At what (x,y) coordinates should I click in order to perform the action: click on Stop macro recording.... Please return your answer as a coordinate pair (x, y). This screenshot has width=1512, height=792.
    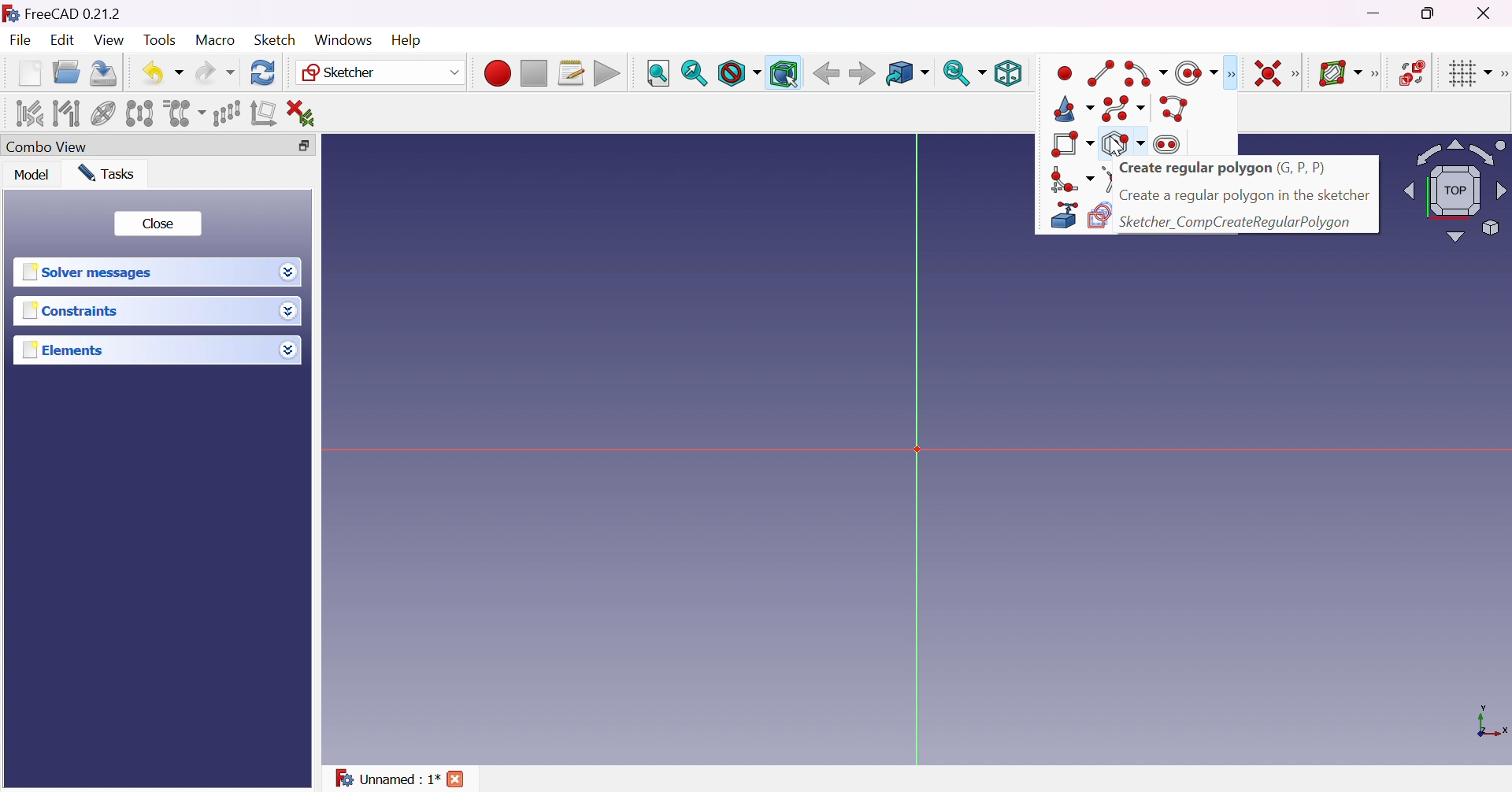
    Looking at the image, I should click on (535, 74).